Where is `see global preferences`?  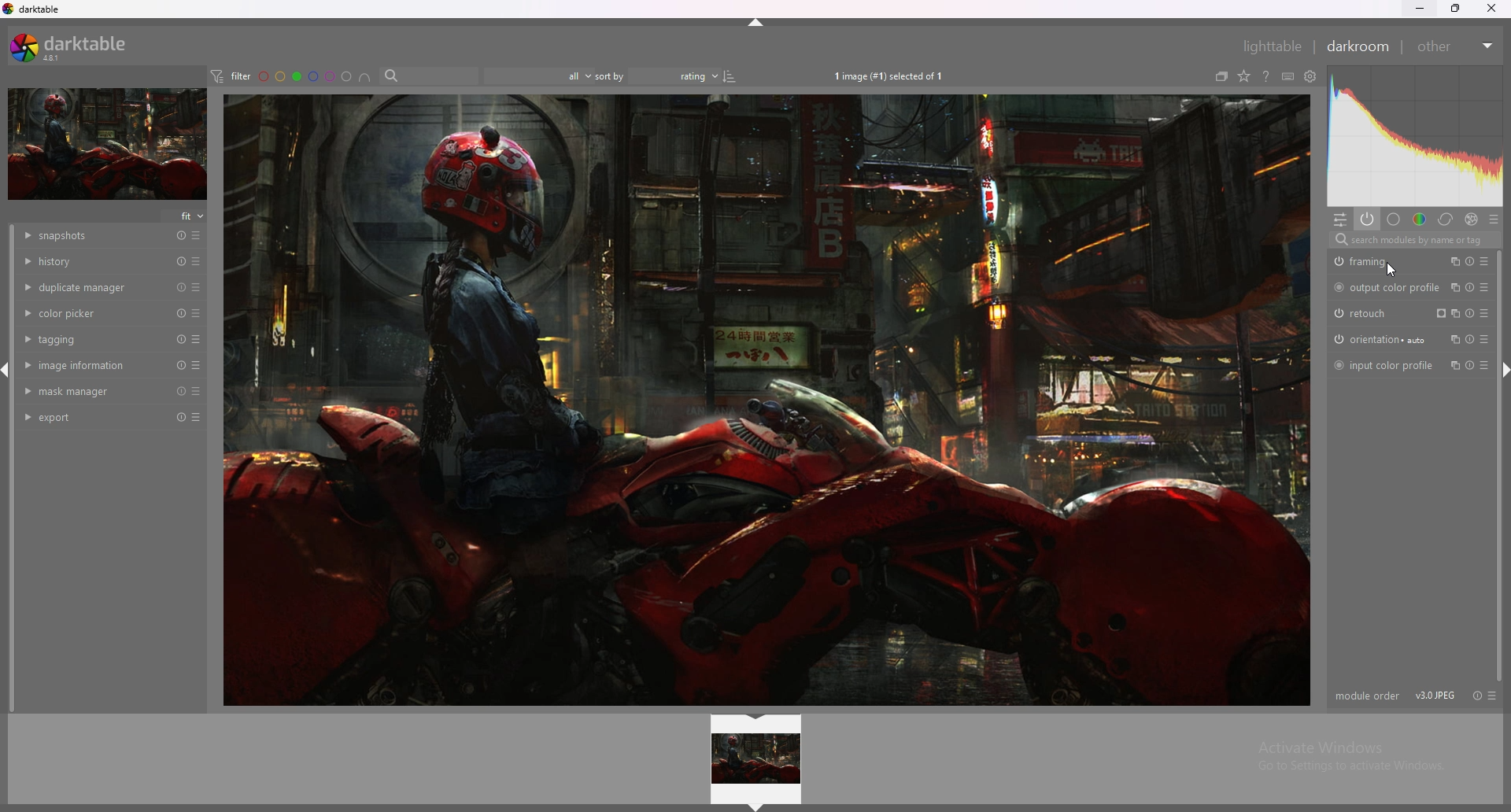
see global preferences is located at coordinates (1310, 76).